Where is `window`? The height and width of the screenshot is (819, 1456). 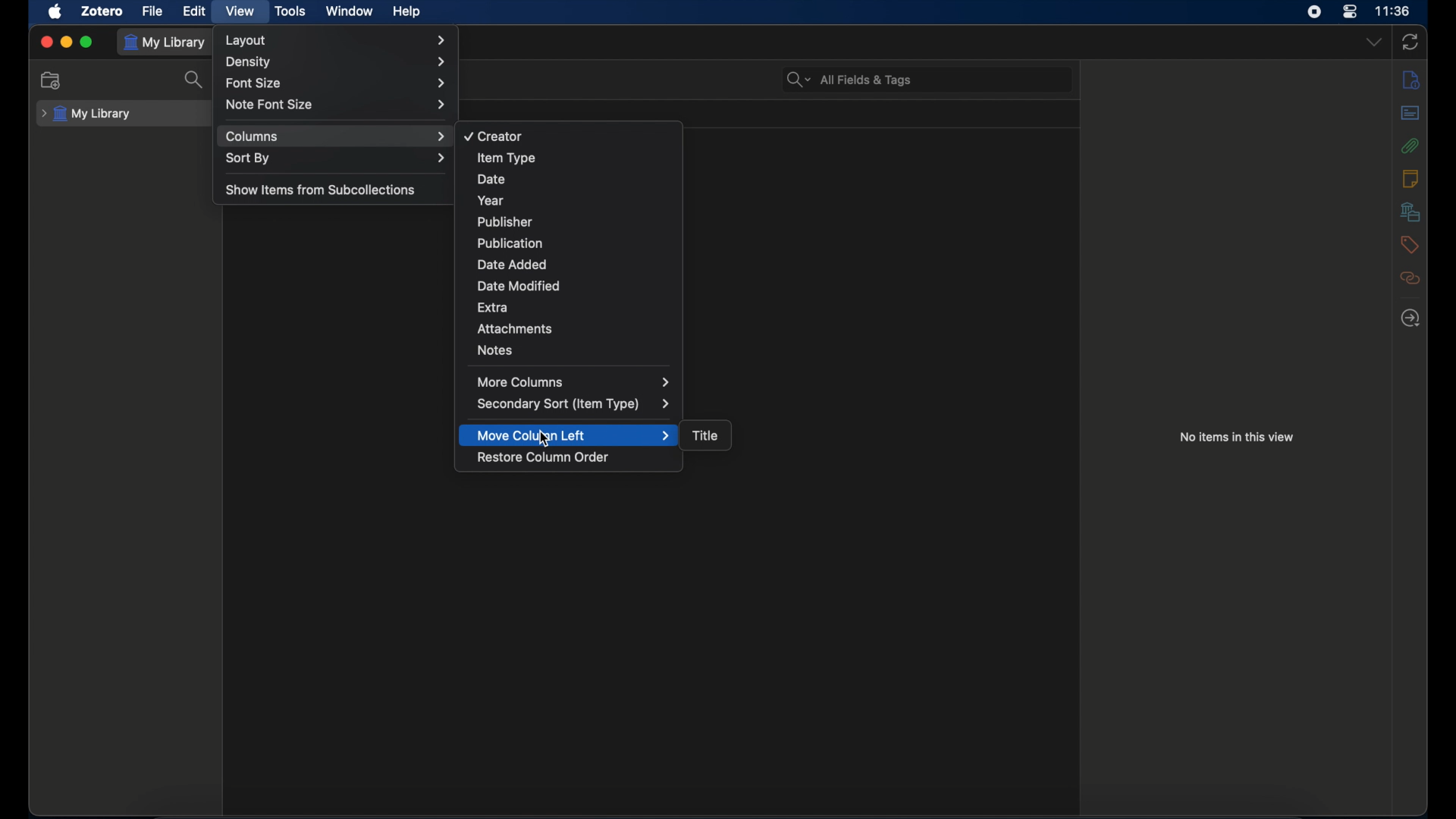 window is located at coordinates (351, 11).